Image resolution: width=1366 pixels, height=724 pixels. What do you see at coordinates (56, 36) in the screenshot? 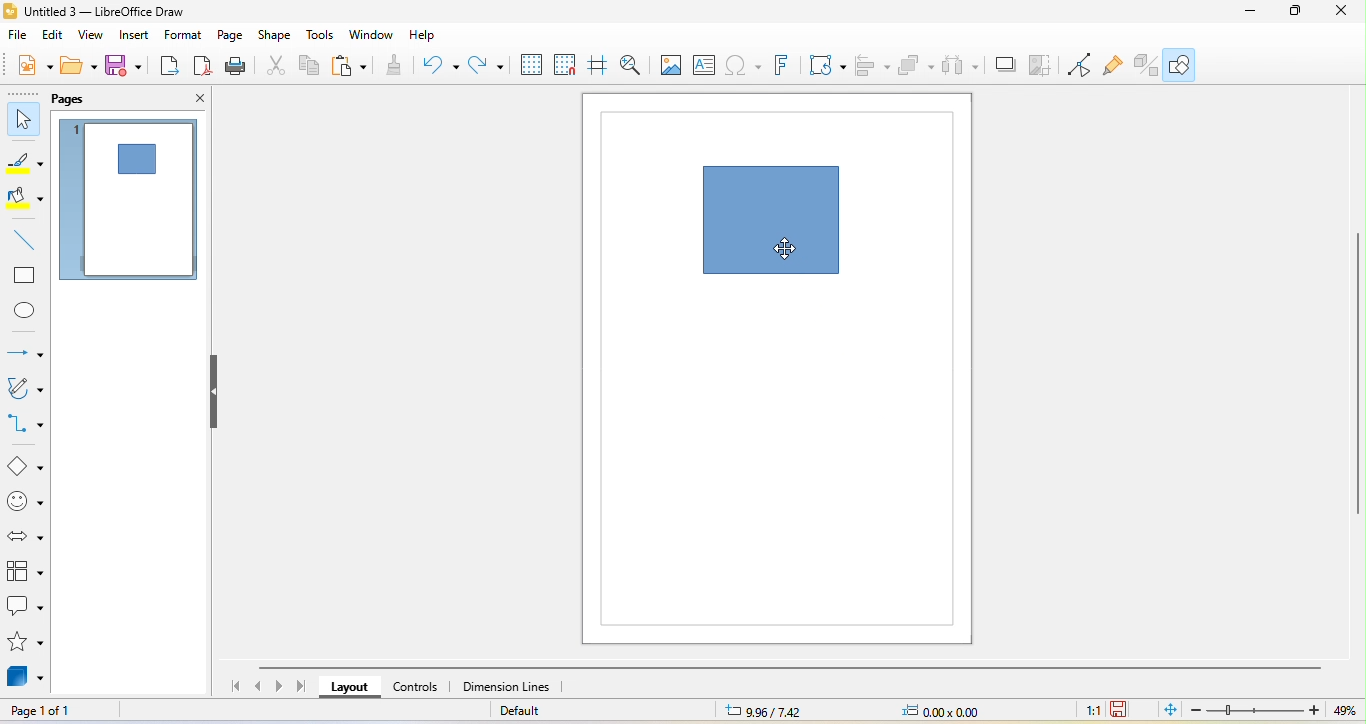
I see `edit` at bounding box center [56, 36].